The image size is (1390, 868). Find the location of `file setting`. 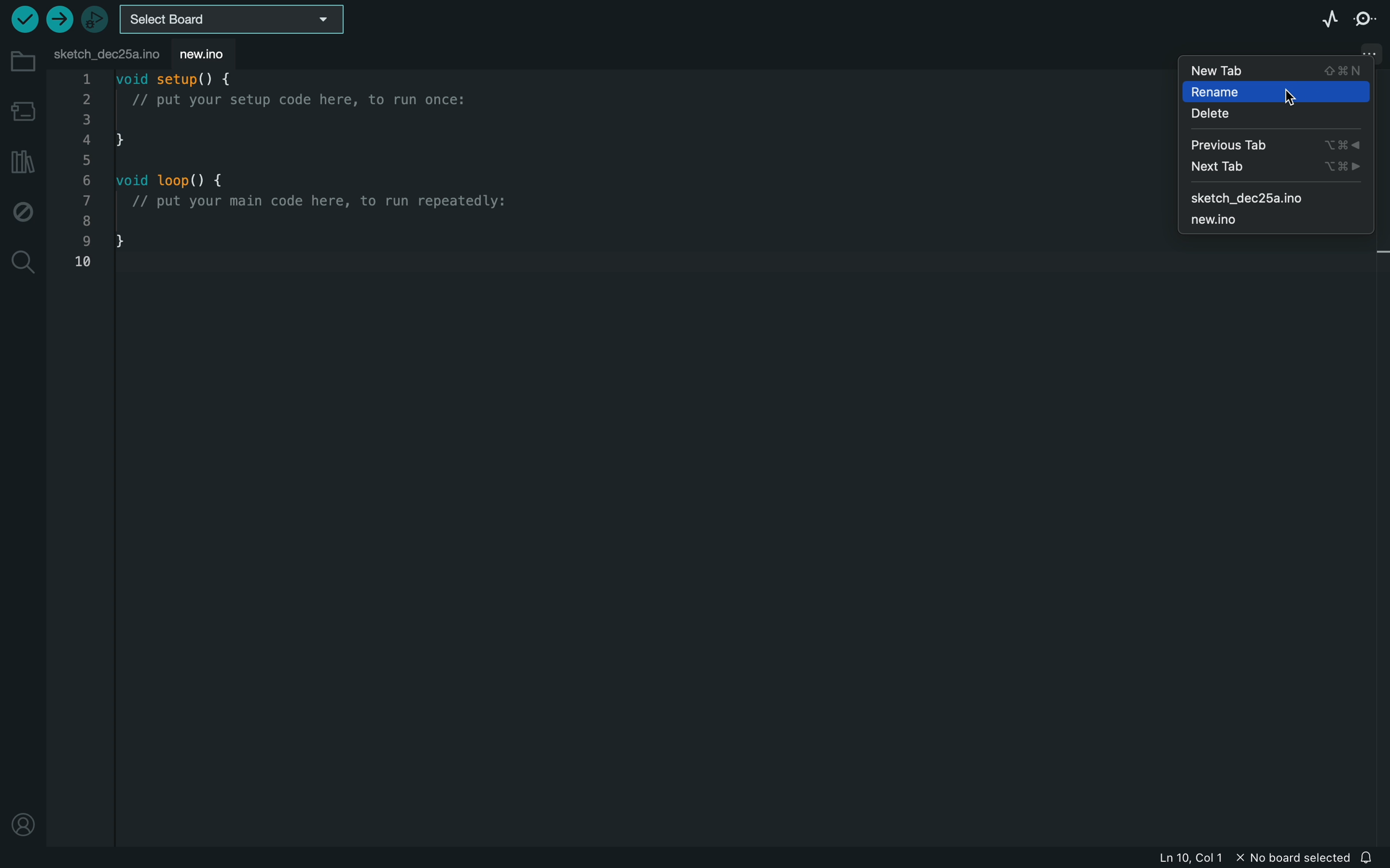

file setting is located at coordinates (1364, 46).